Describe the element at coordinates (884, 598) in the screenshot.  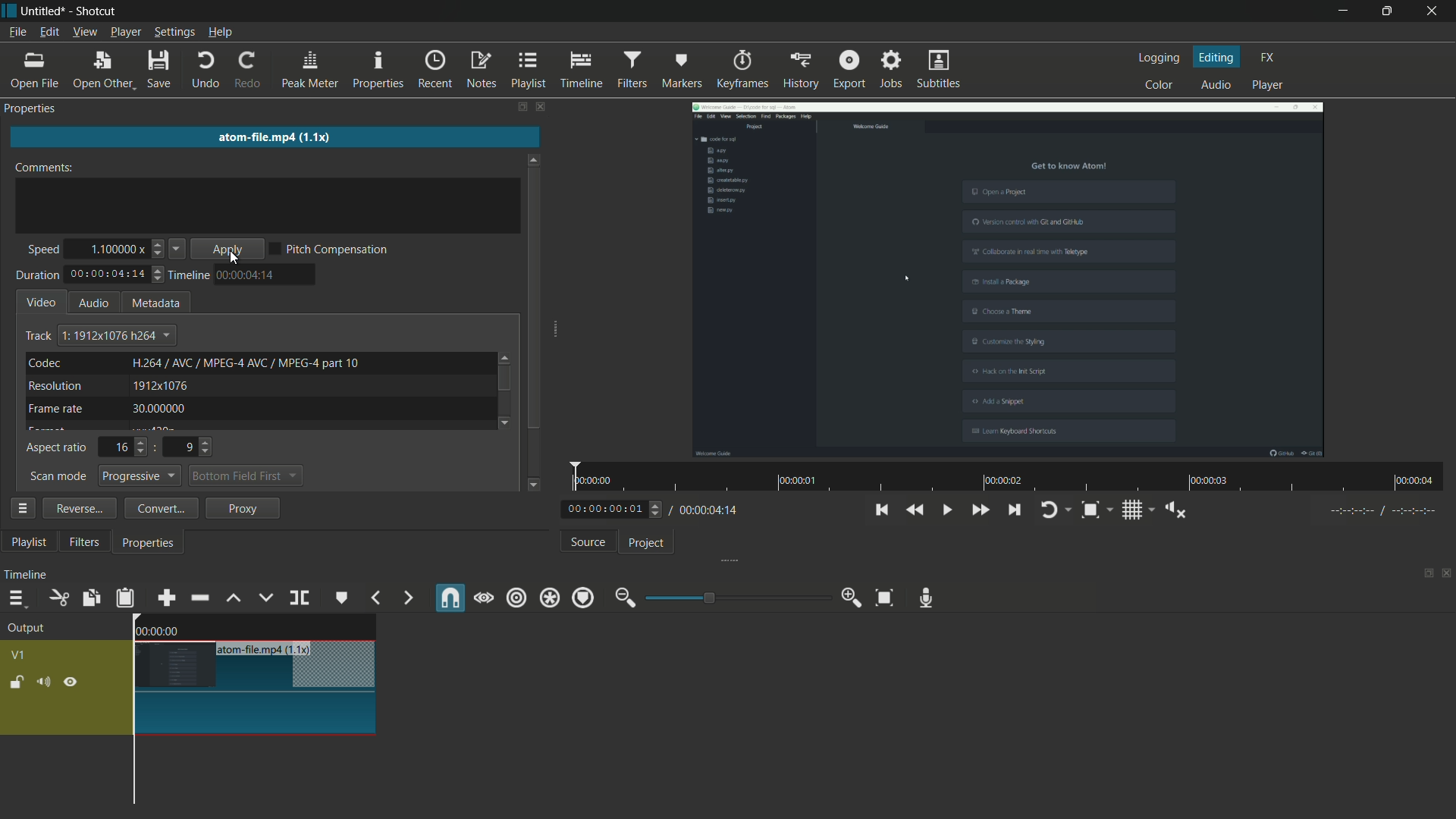
I see `zoom timeline to fit` at that location.